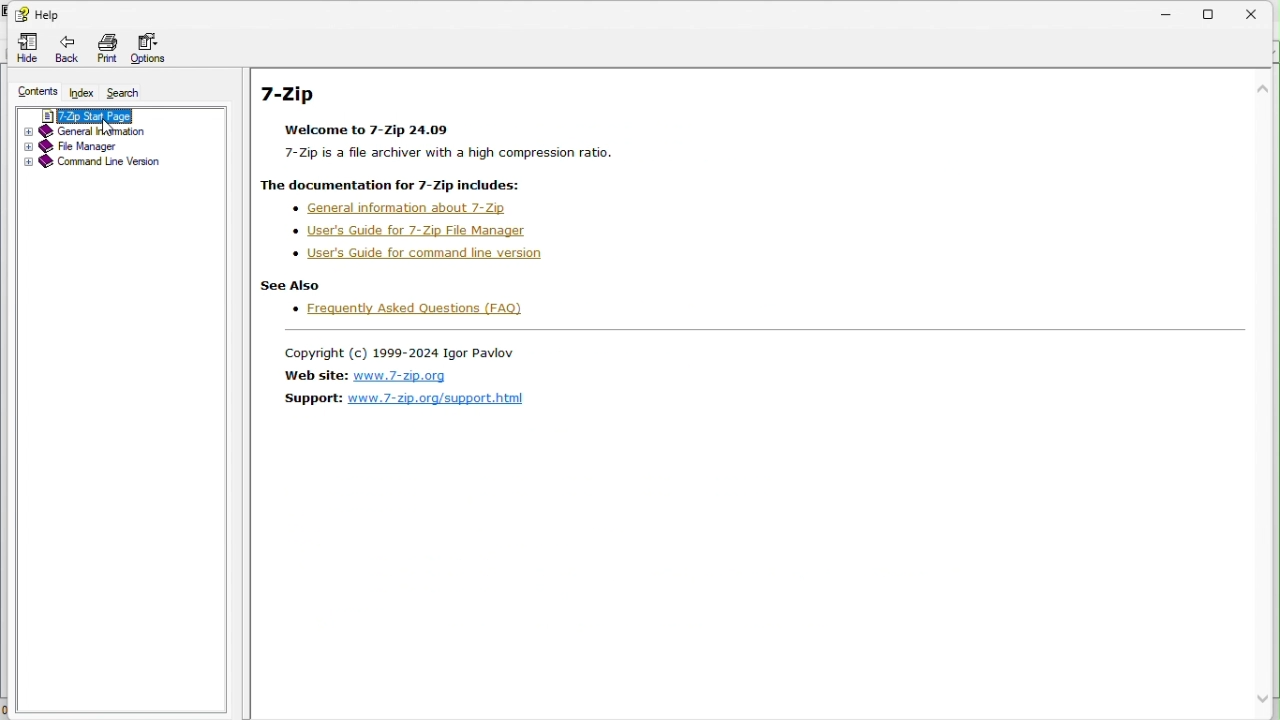 This screenshot has width=1280, height=720. Describe the element at coordinates (287, 284) in the screenshot. I see `see frequently asked questions Also` at that location.